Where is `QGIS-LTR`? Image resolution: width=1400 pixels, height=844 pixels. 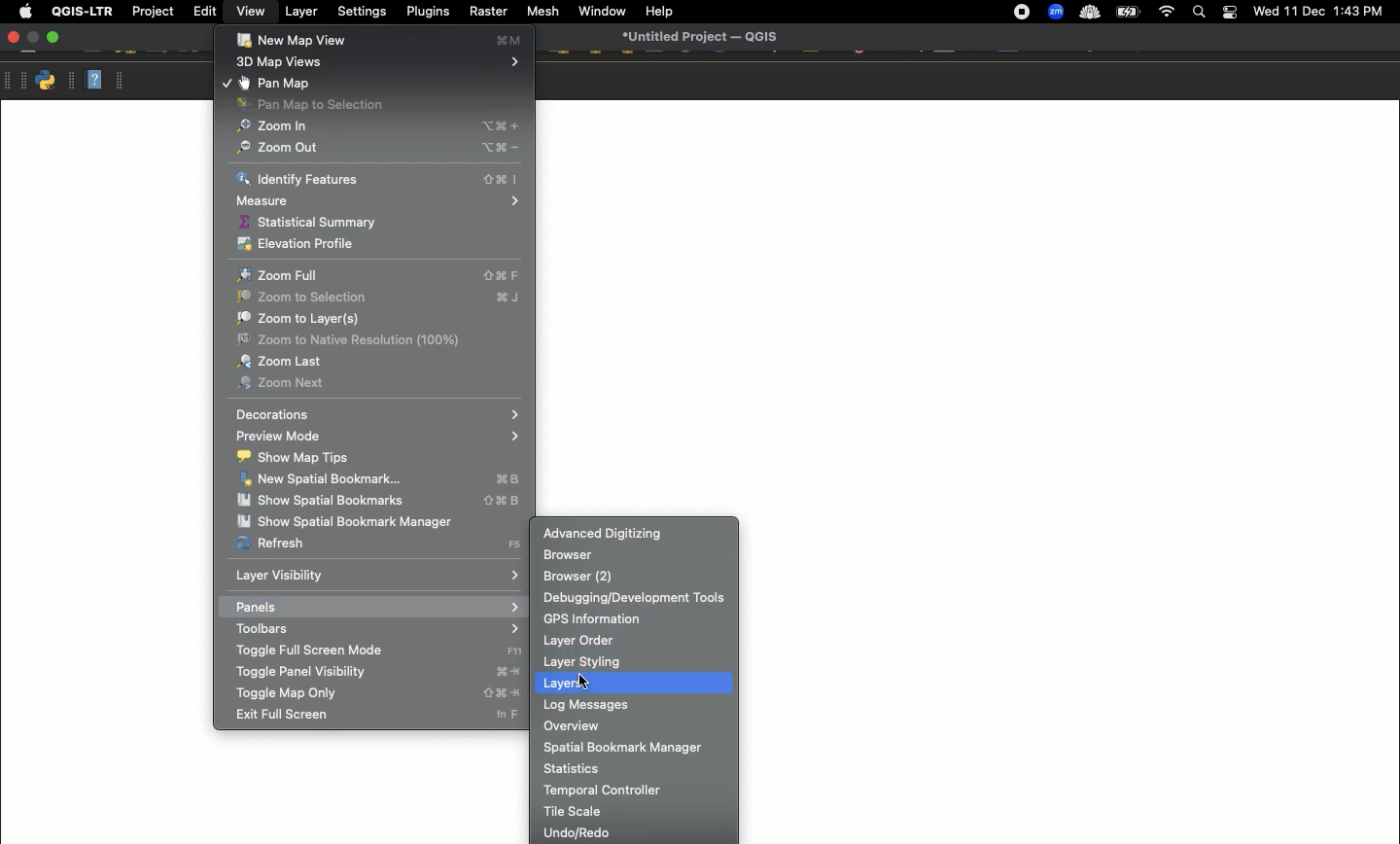 QGIS-LTR is located at coordinates (83, 11).